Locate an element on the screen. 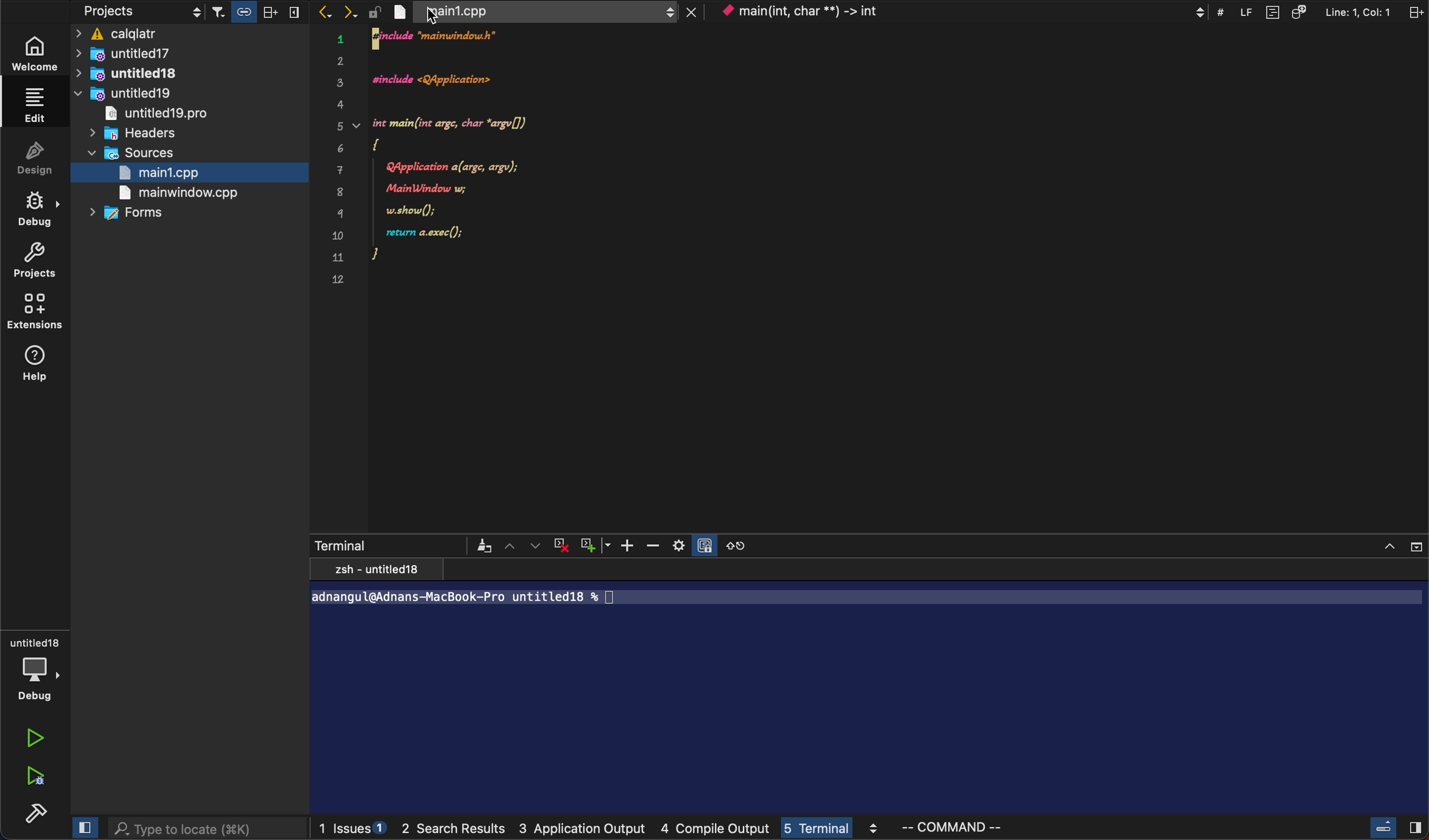 This screenshot has width=1429, height=840. application output is located at coordinates (582, 830).